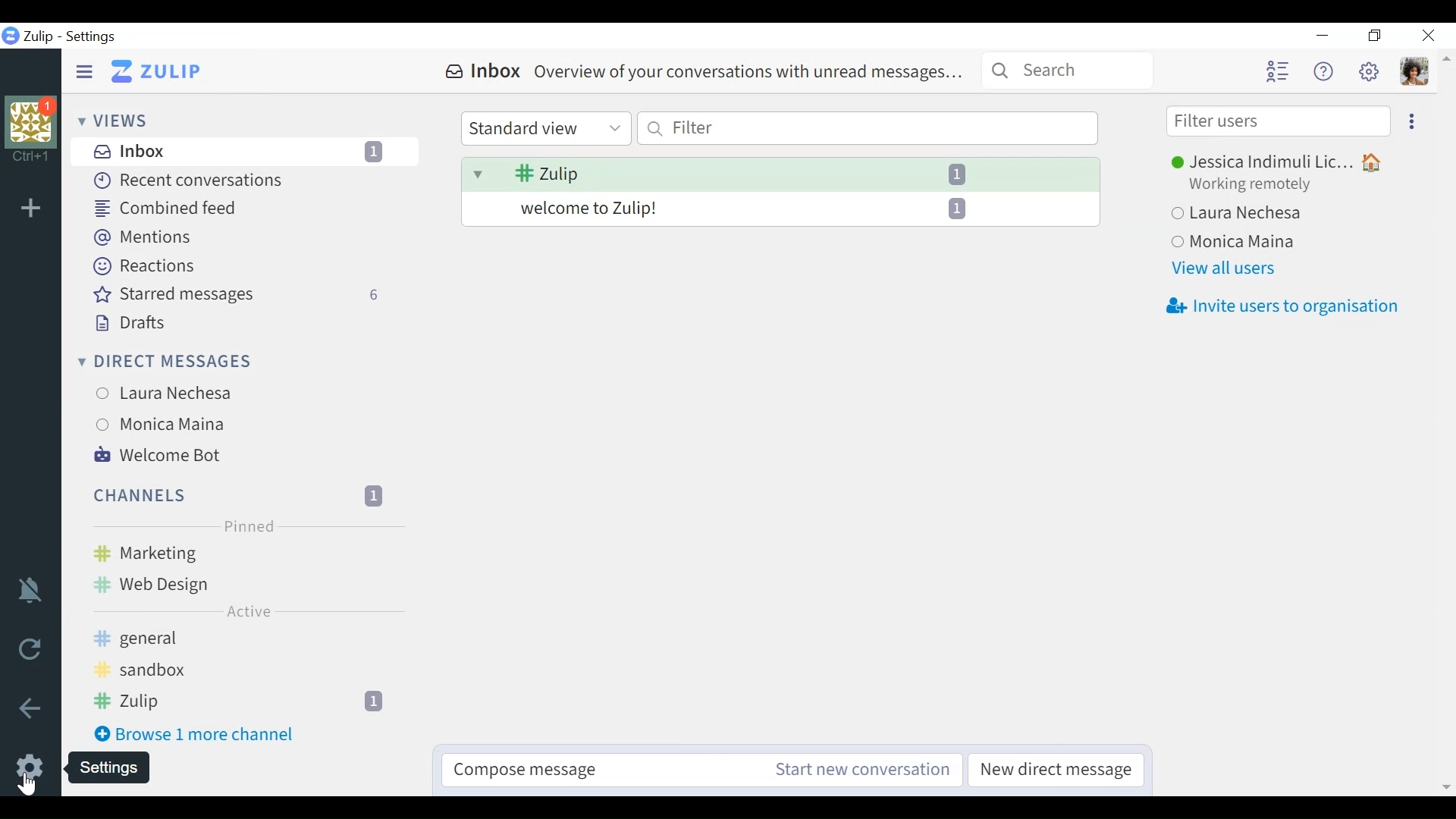  What do you see at coordinates (1277, 71) in the screenshot?
I see `Hide user list` at bounding box center [1277, 71].